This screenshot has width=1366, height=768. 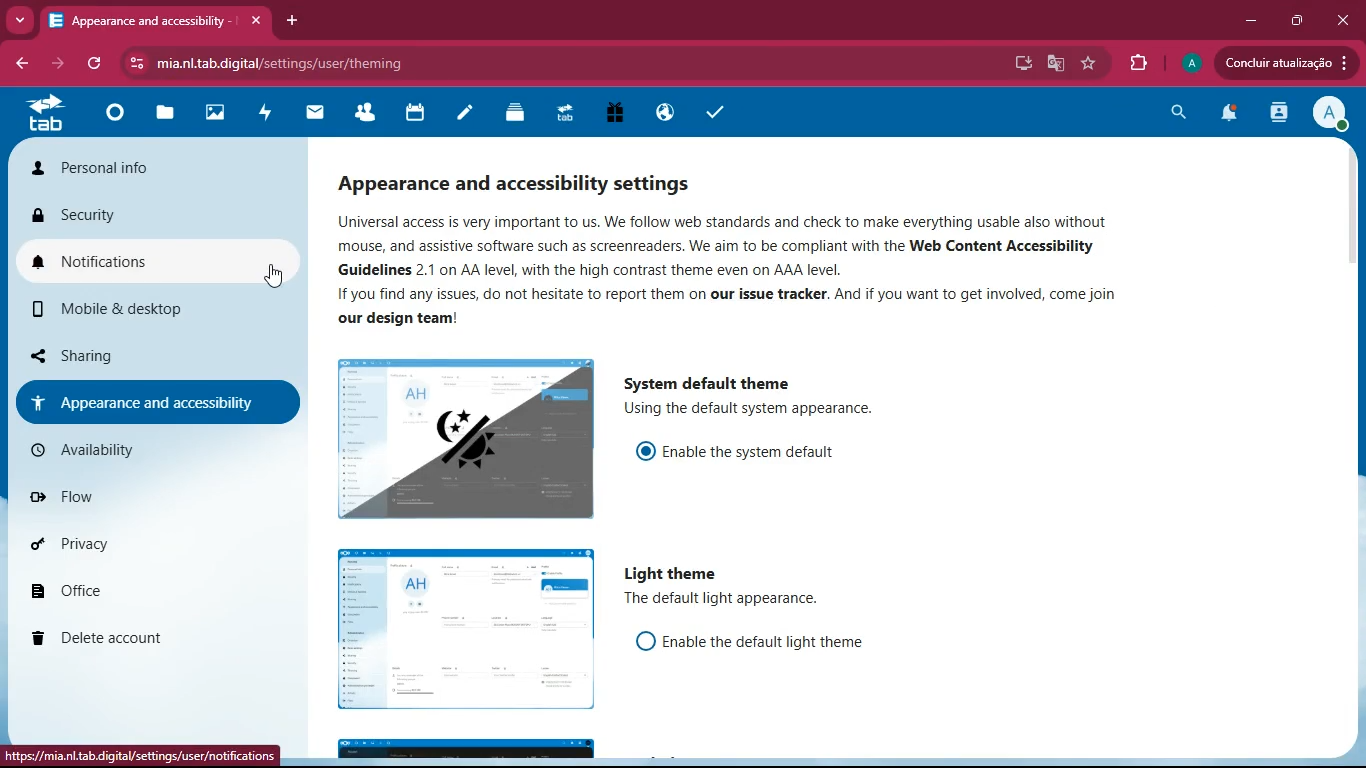 I want to click on personal info, so click(x=158, y=170).